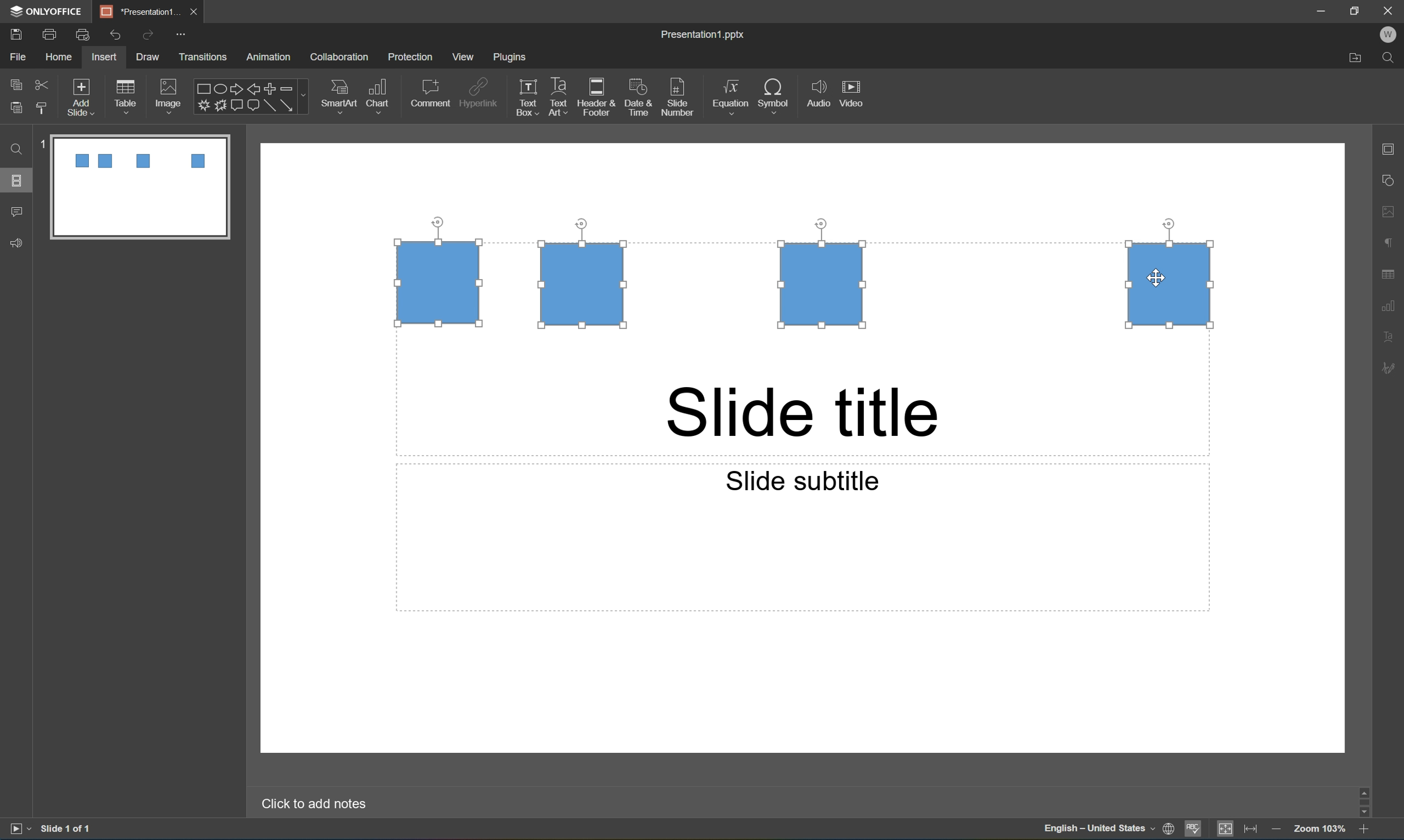 Image resolution: width=1404 pixels, height=840 pixels. Describe the element at coordinates (1392, 57) in the screenshot. I see `Find` at that location.